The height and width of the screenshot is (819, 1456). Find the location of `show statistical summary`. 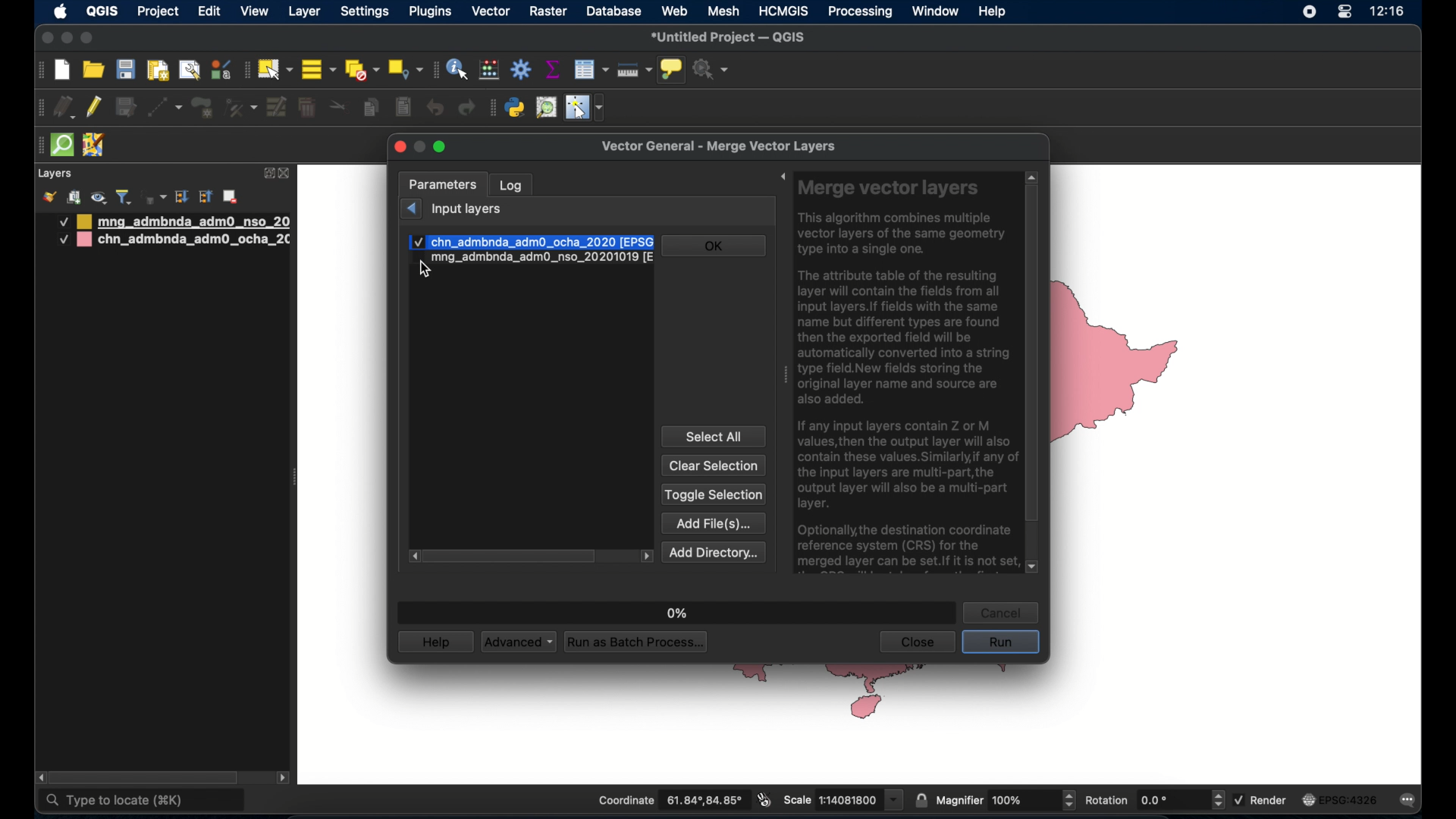

show statistical summary is located at coordinates (551, 69).